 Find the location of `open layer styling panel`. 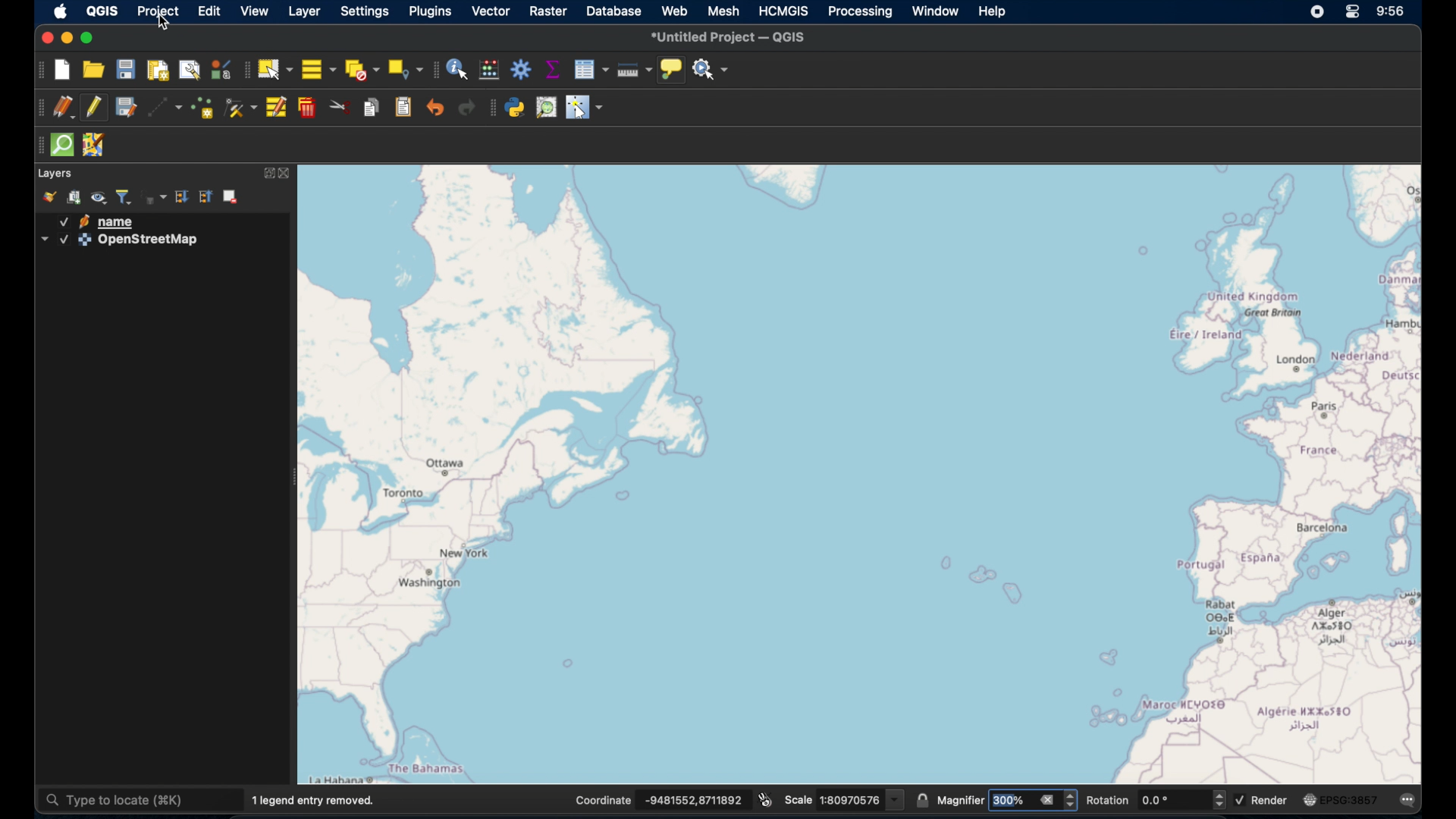

open layer styling panel is located at coordinates (49, 197).